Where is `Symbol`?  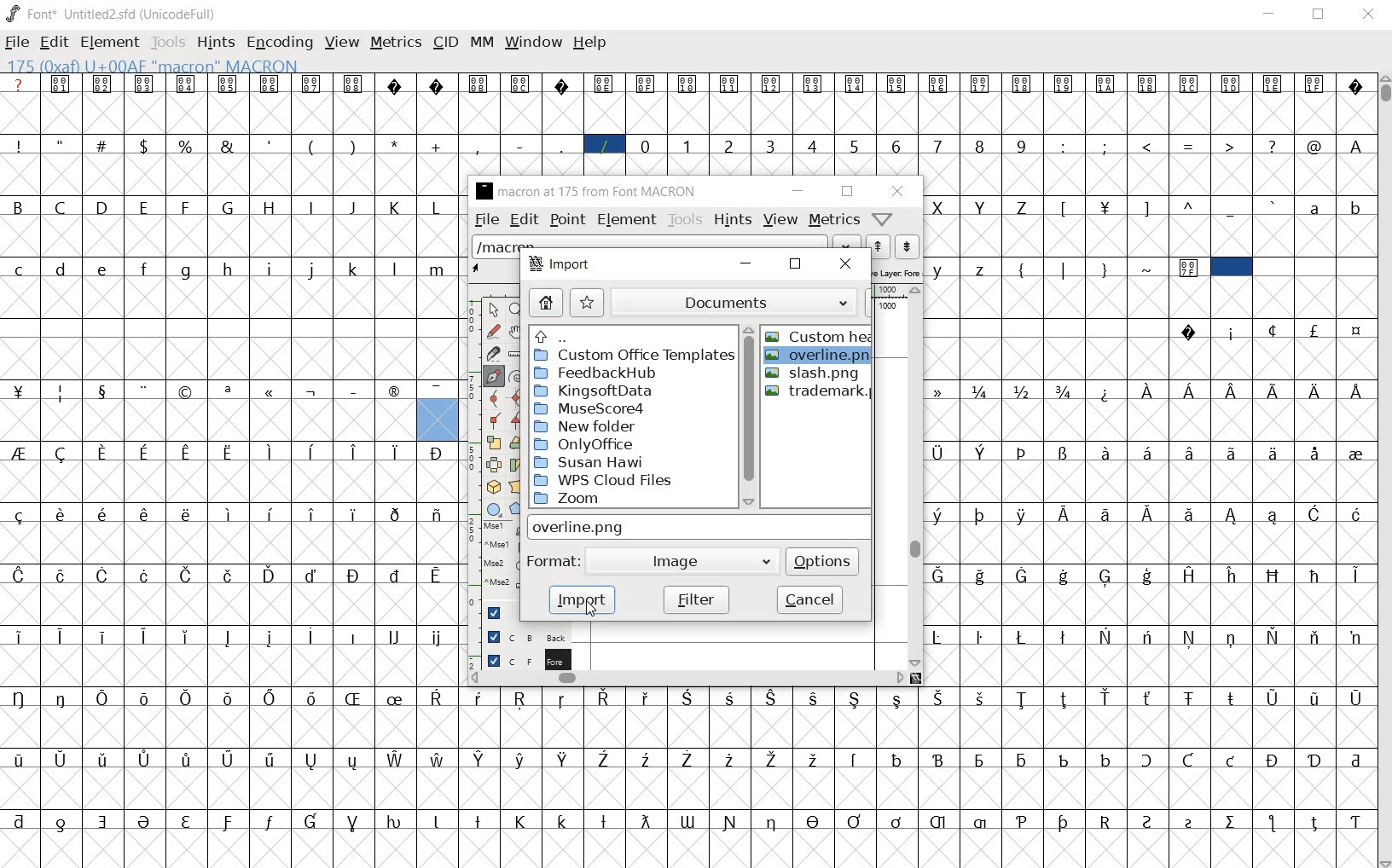 Symbol is located at coordinates (646, 84).